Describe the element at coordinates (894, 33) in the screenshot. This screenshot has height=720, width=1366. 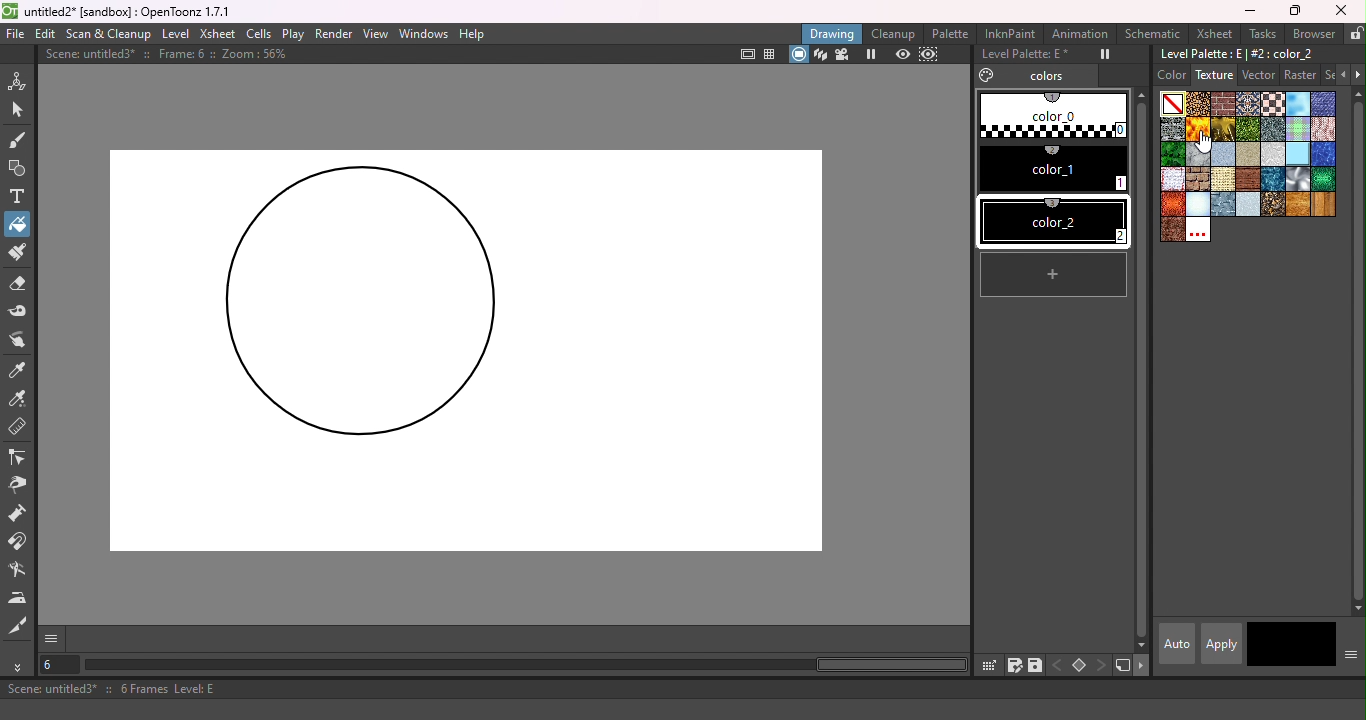
I see `Cleanup` at that location.